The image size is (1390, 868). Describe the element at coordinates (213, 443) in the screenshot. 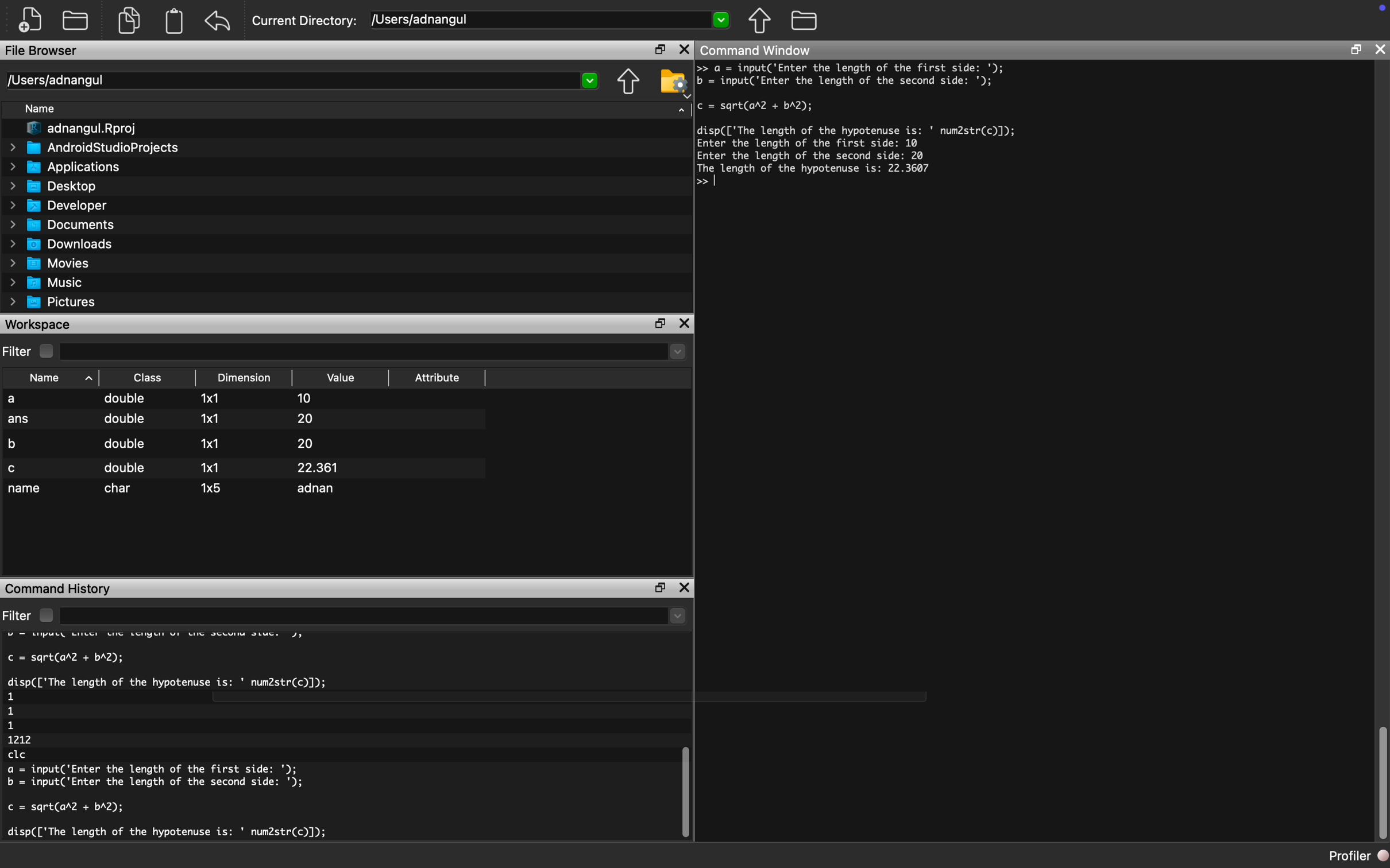

I see `1x1` at that location.